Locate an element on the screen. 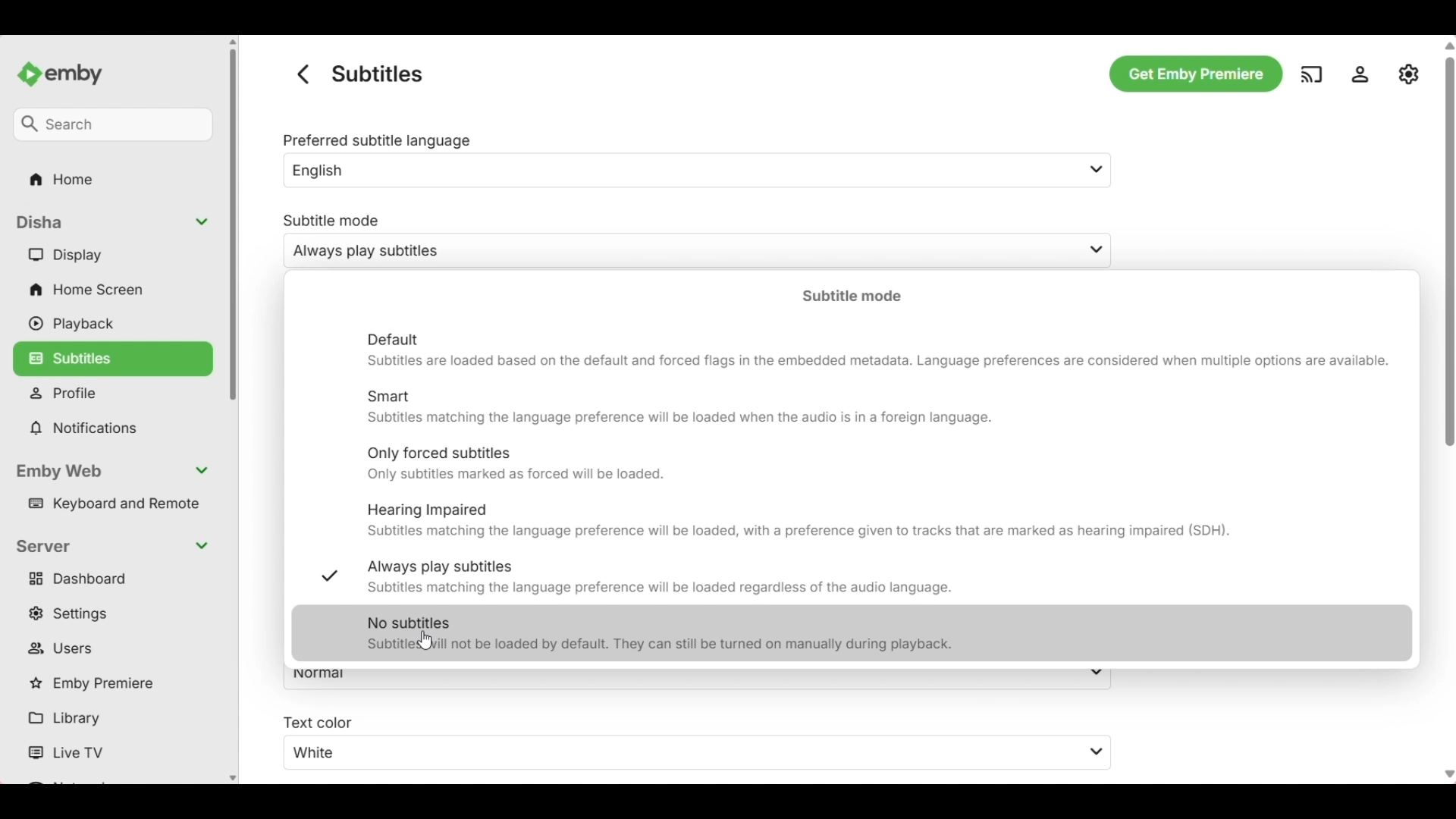 The image size is (1456, 819). Page name changed is located at coordinates (377, 74).